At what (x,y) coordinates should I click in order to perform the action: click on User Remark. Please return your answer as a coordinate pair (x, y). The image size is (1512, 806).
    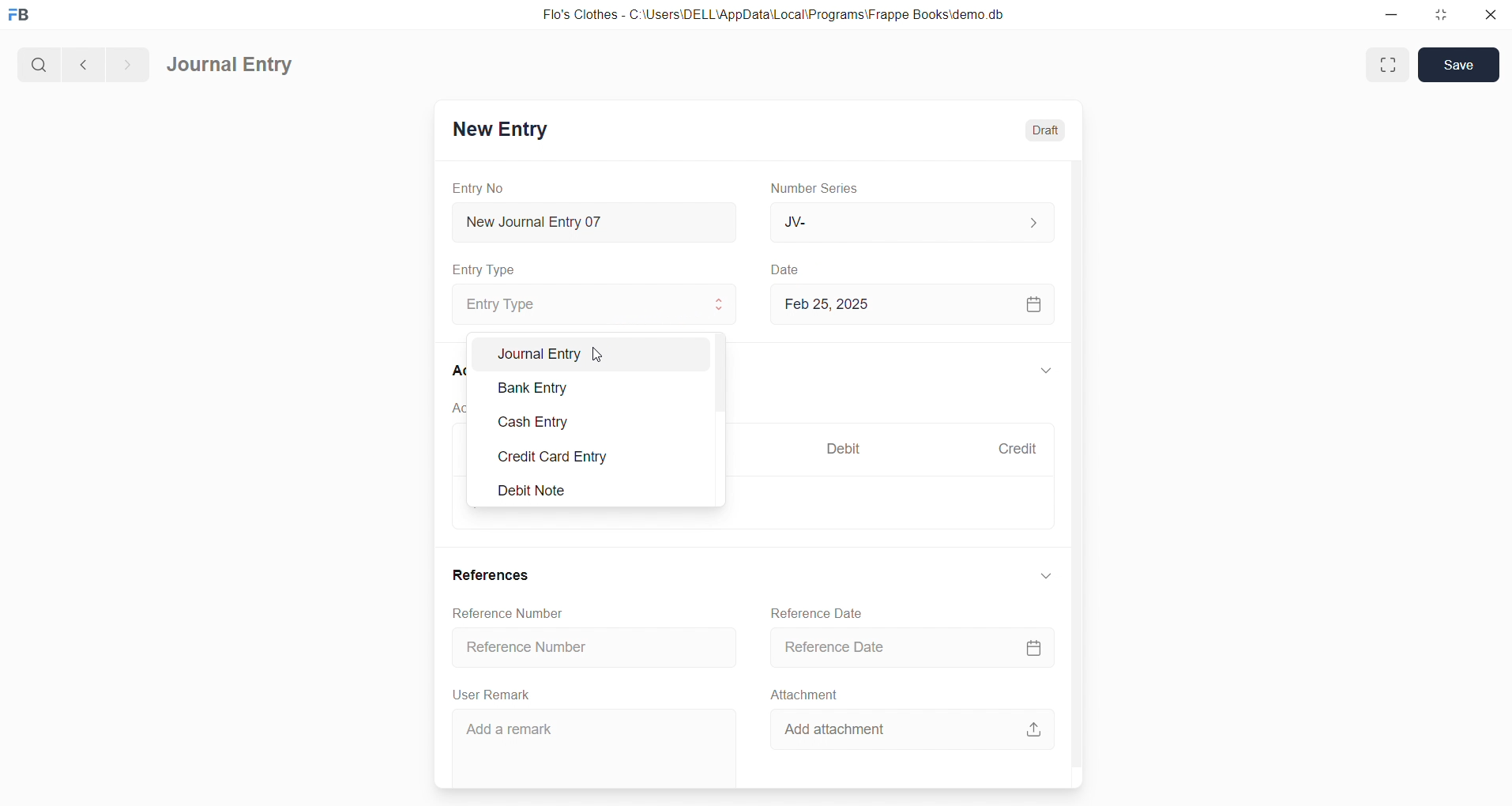
    Looking at the image, I should click on (495, 695).